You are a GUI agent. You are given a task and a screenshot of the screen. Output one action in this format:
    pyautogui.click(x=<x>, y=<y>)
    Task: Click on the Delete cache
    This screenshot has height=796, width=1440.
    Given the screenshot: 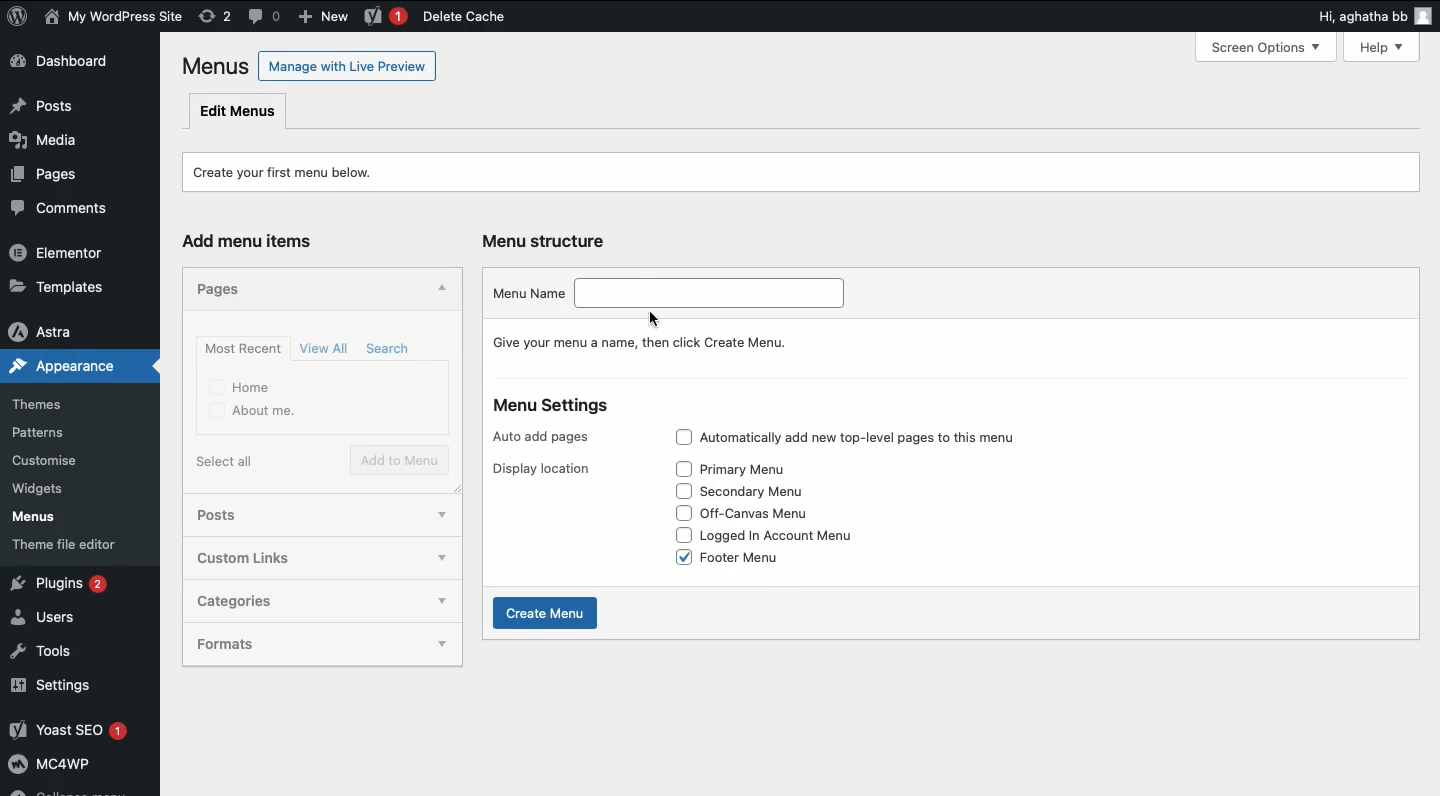 What is the action you would take?
    pyautogui.click(x=463, y=17)
    